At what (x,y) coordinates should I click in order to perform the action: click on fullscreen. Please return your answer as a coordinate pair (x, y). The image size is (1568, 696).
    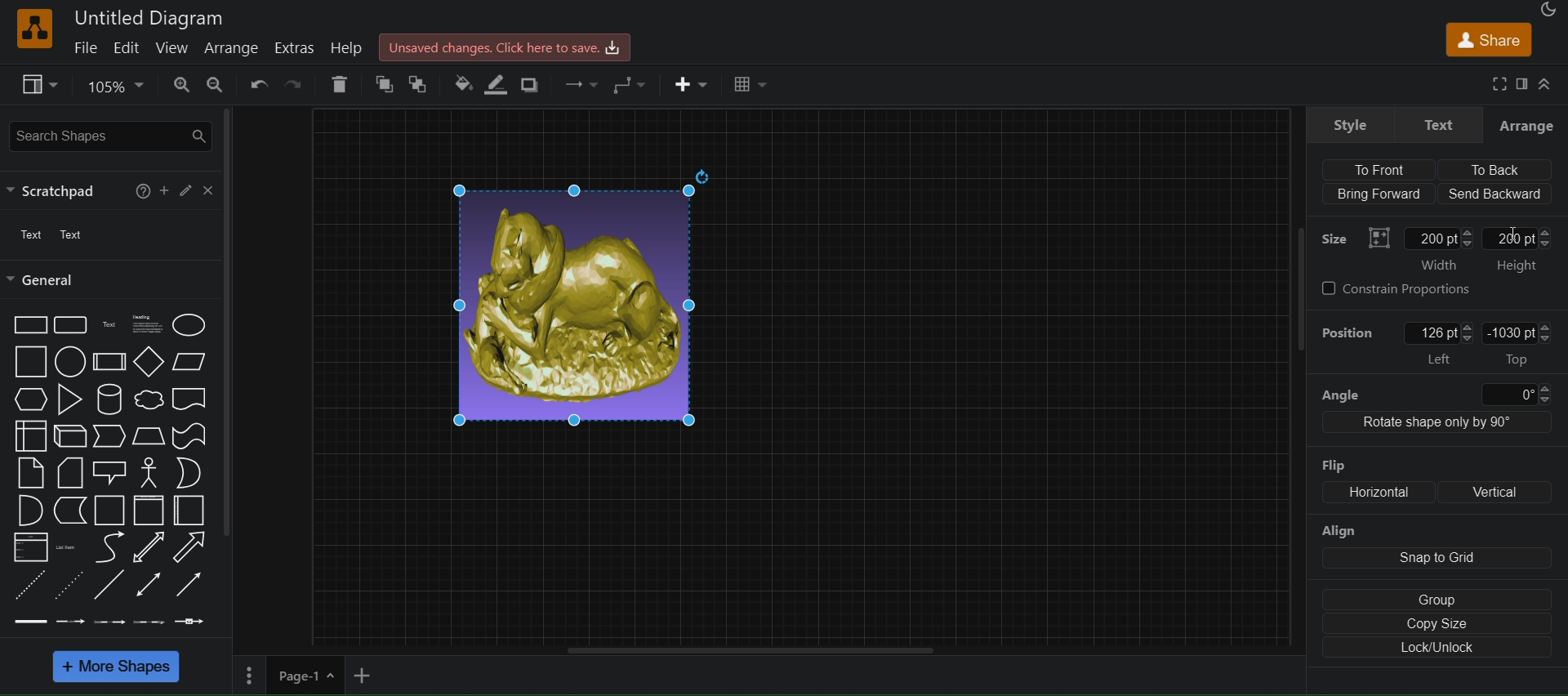
    Looking at the image, I should click on (1499, 84).